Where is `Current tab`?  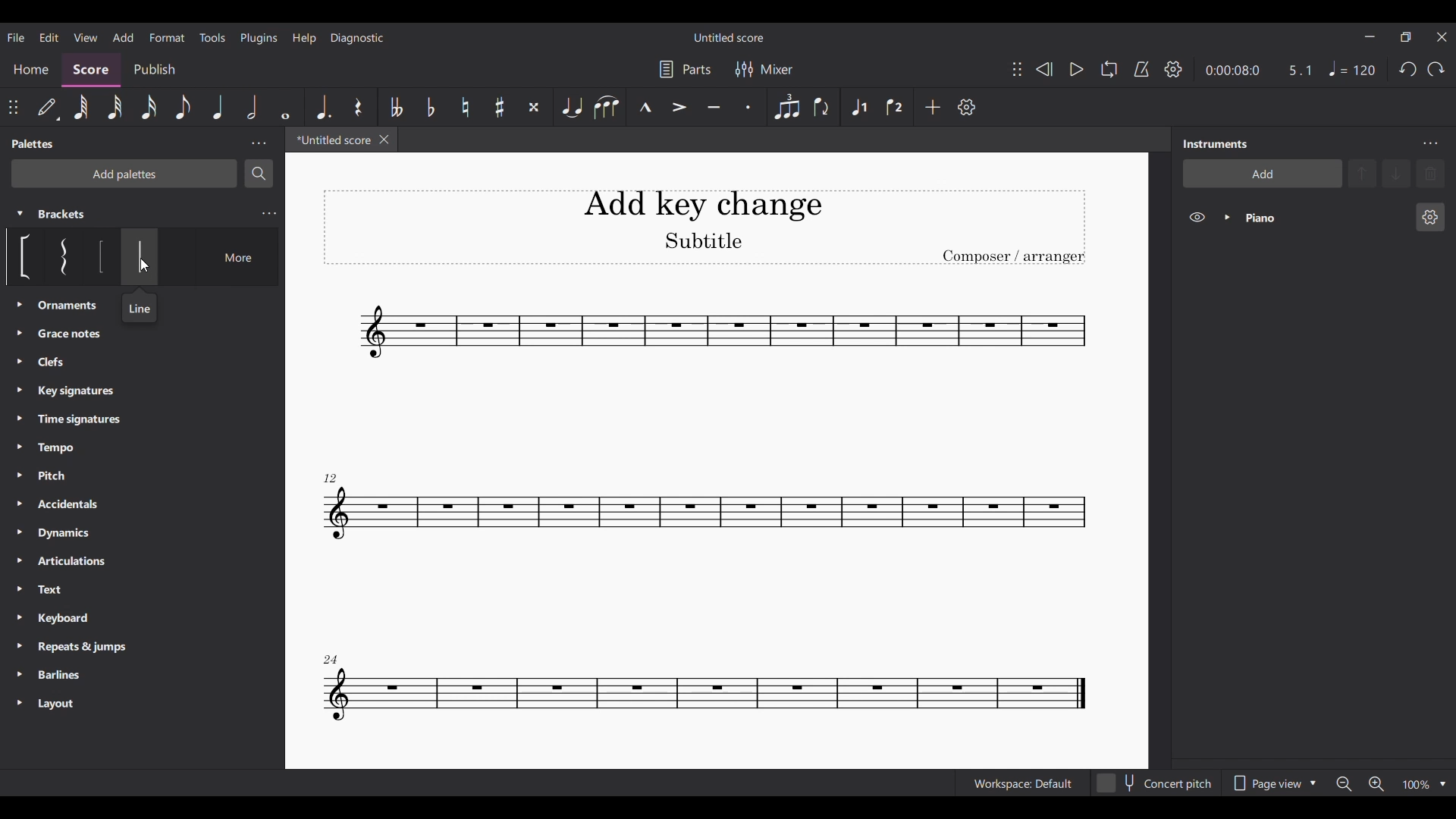
Current tab is located at coordinates (331, 140).